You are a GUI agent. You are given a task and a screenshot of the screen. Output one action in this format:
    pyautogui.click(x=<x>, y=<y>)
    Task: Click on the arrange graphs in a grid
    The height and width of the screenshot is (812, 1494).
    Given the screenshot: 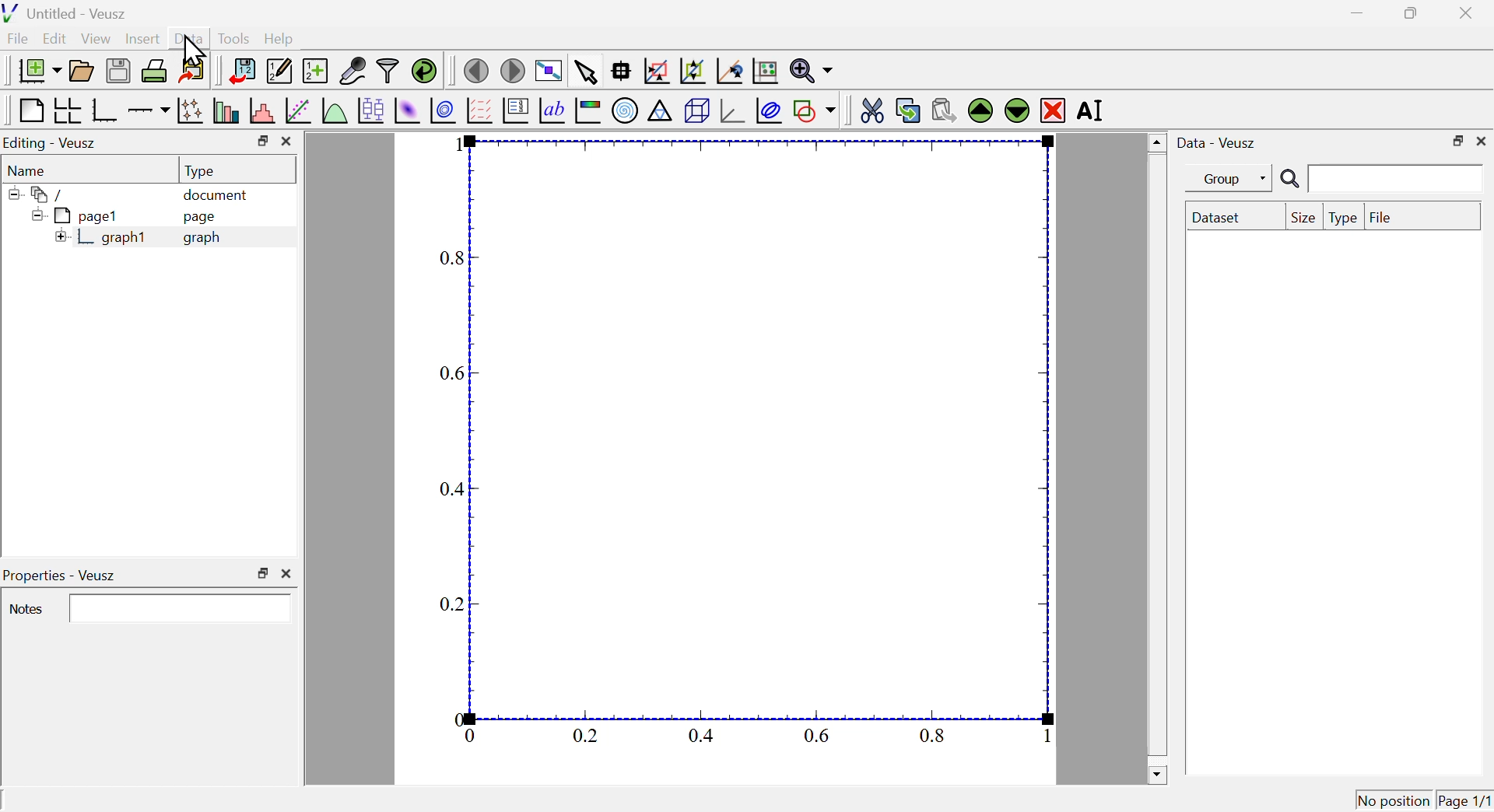 What is the action you would take?
    pyautogui.click(x=67, y=111)
    